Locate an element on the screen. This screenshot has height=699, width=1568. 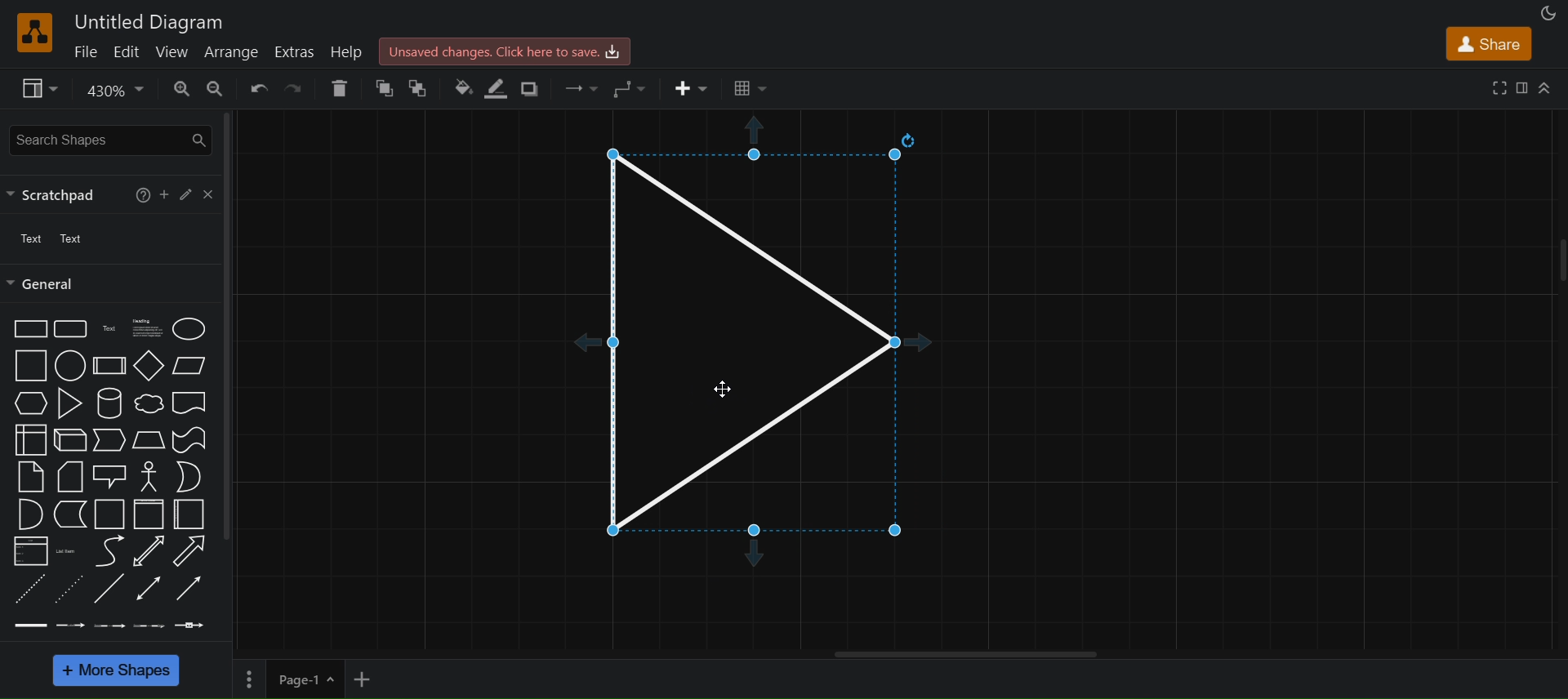
vertical scroll bar is located at coordinates (227, 326).